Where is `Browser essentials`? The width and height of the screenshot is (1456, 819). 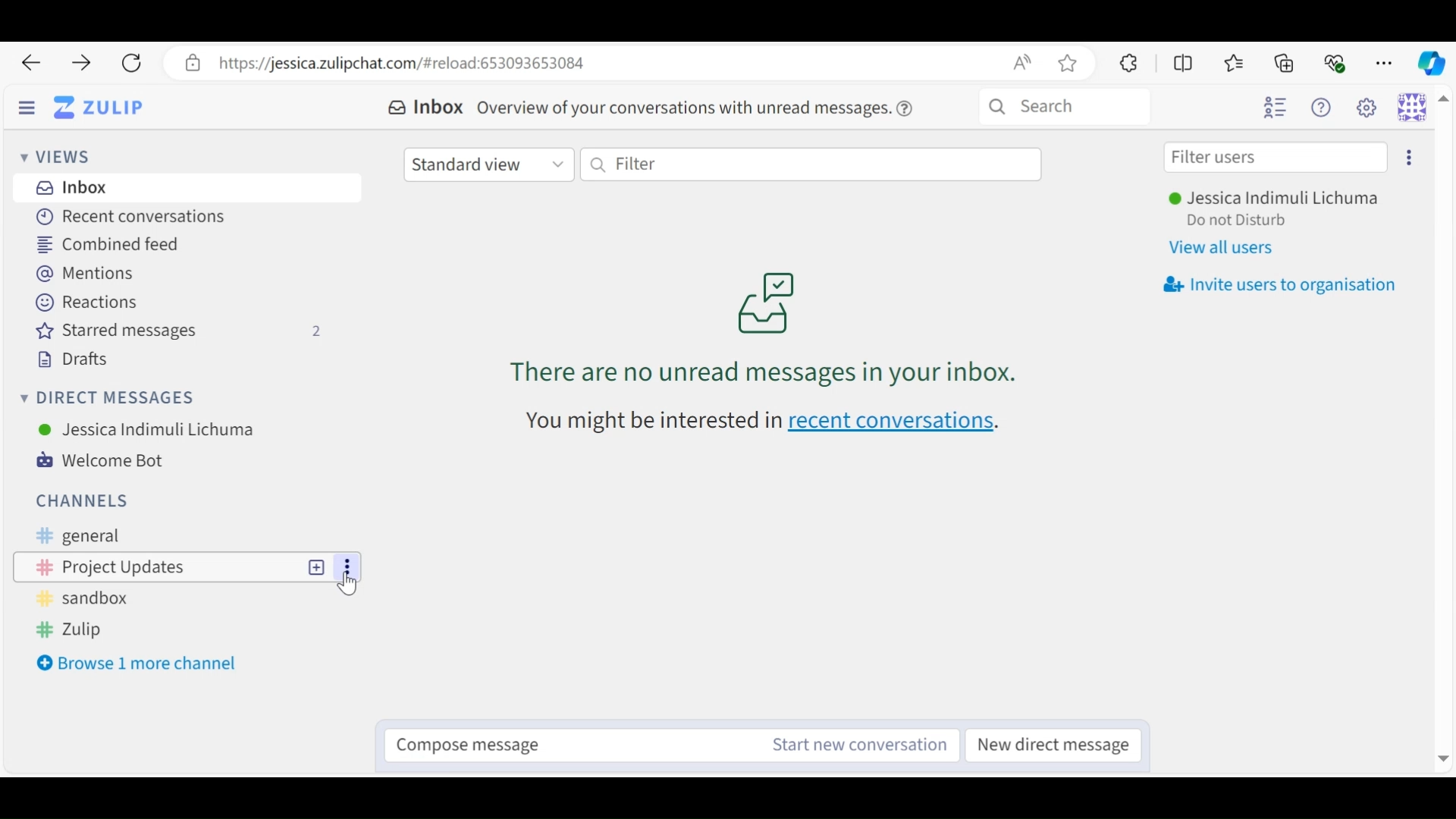
Browser essentials is located at coordinates (1336, 61).